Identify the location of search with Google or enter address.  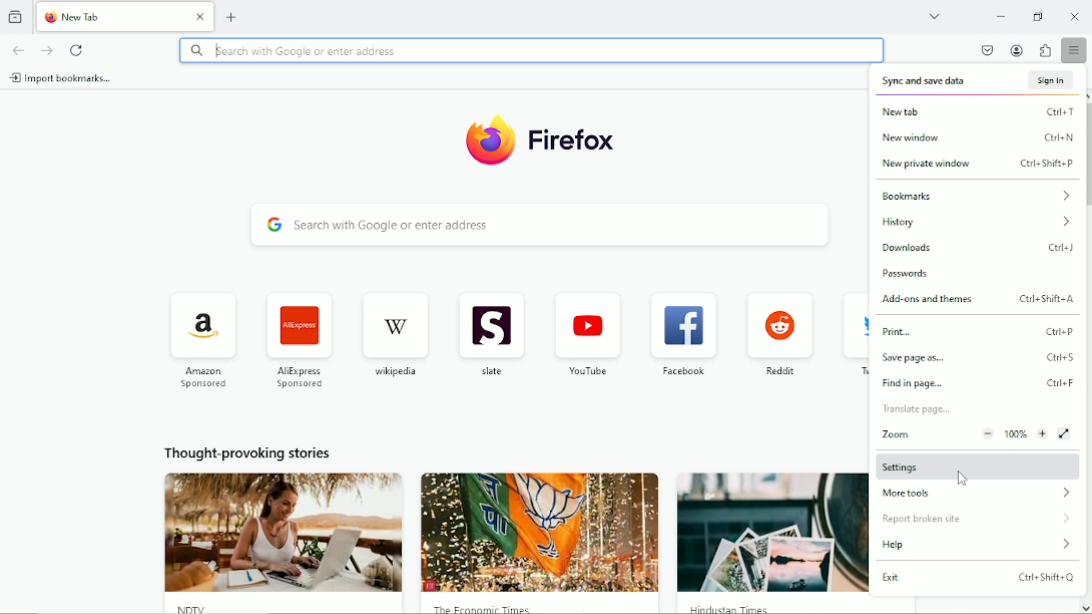
(530, 51).